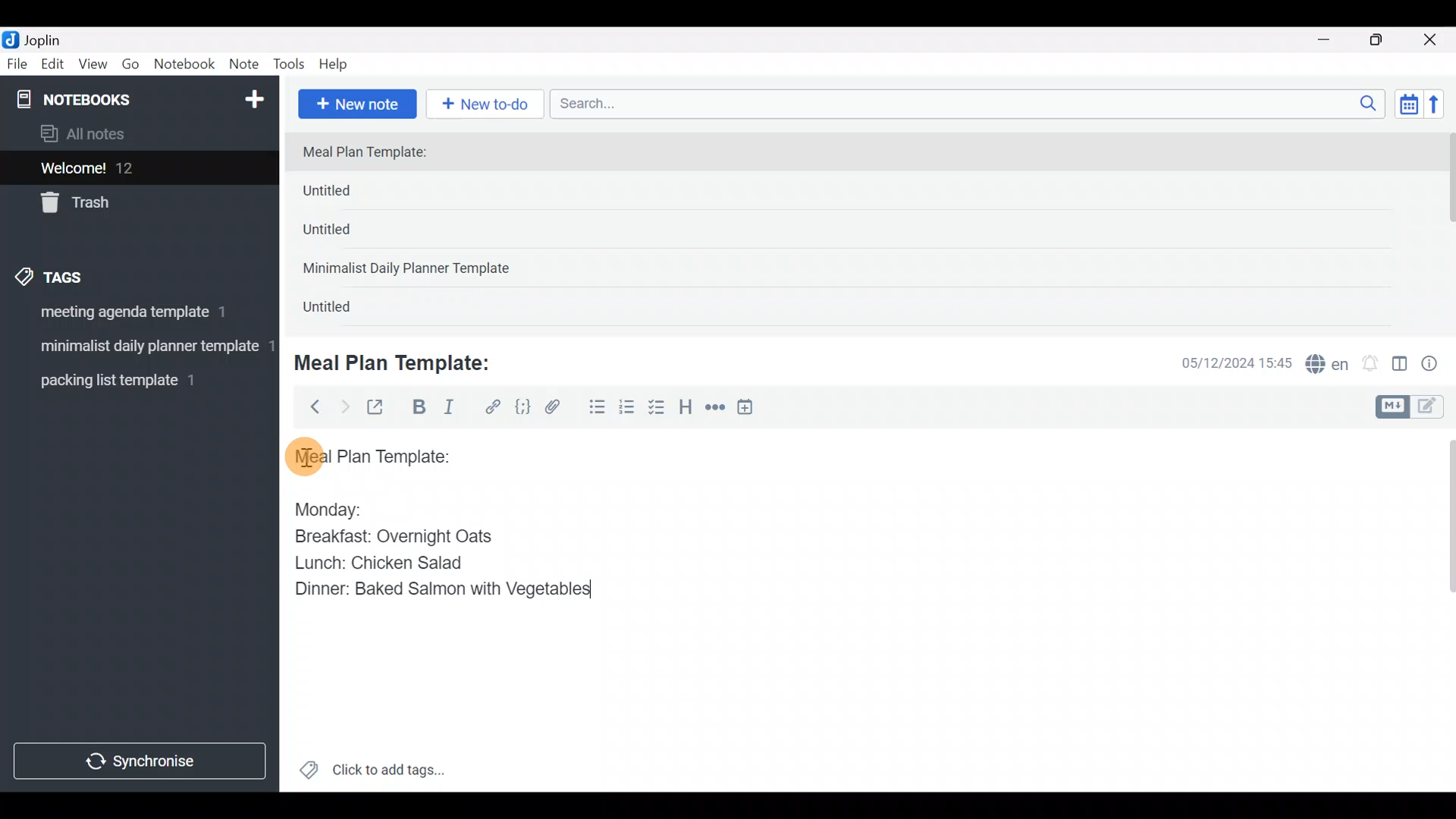  Describe the element at coordinates (521, 406) in the screenshot. I see `Code` at that location.